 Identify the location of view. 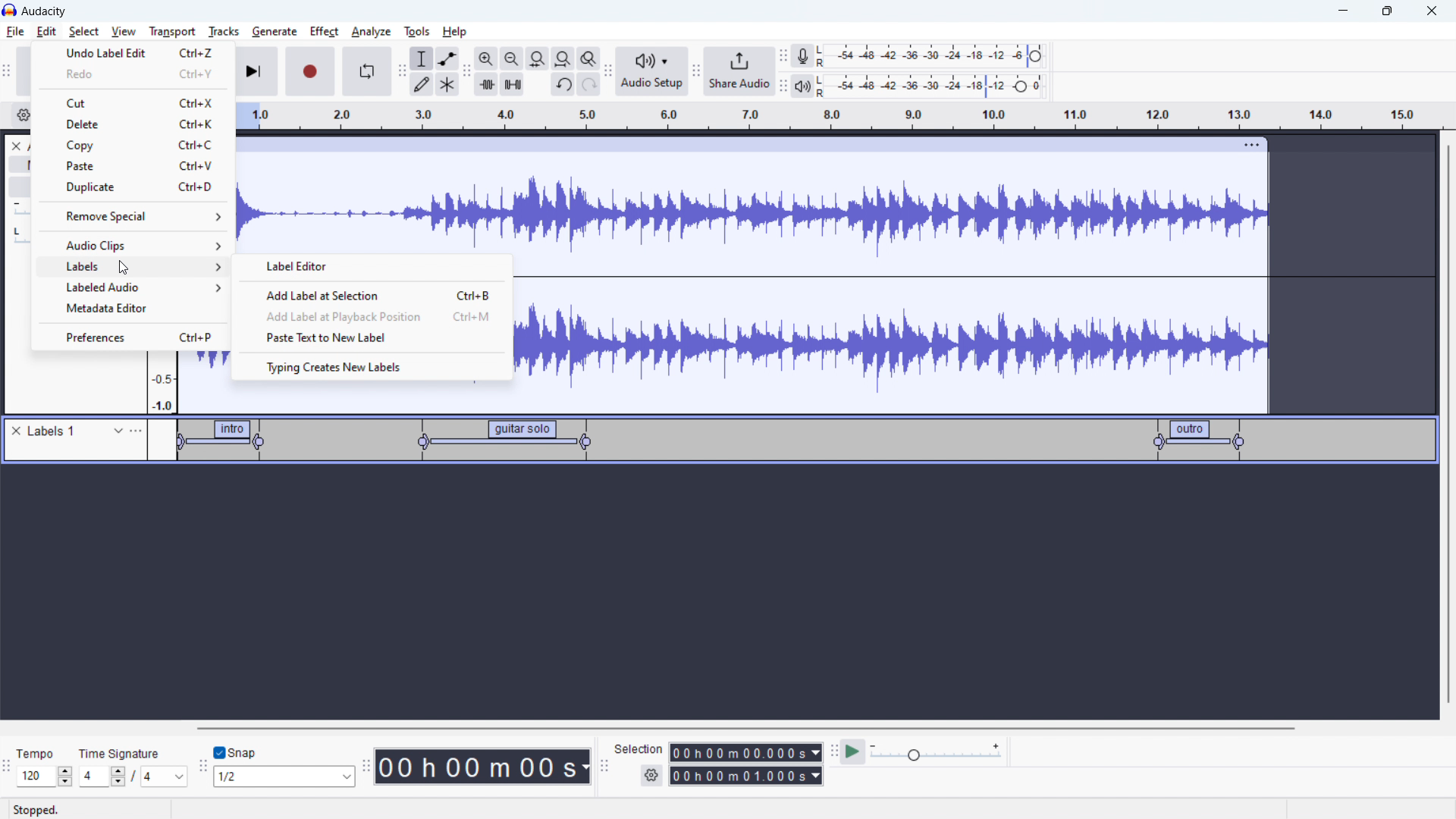
(124, 31).